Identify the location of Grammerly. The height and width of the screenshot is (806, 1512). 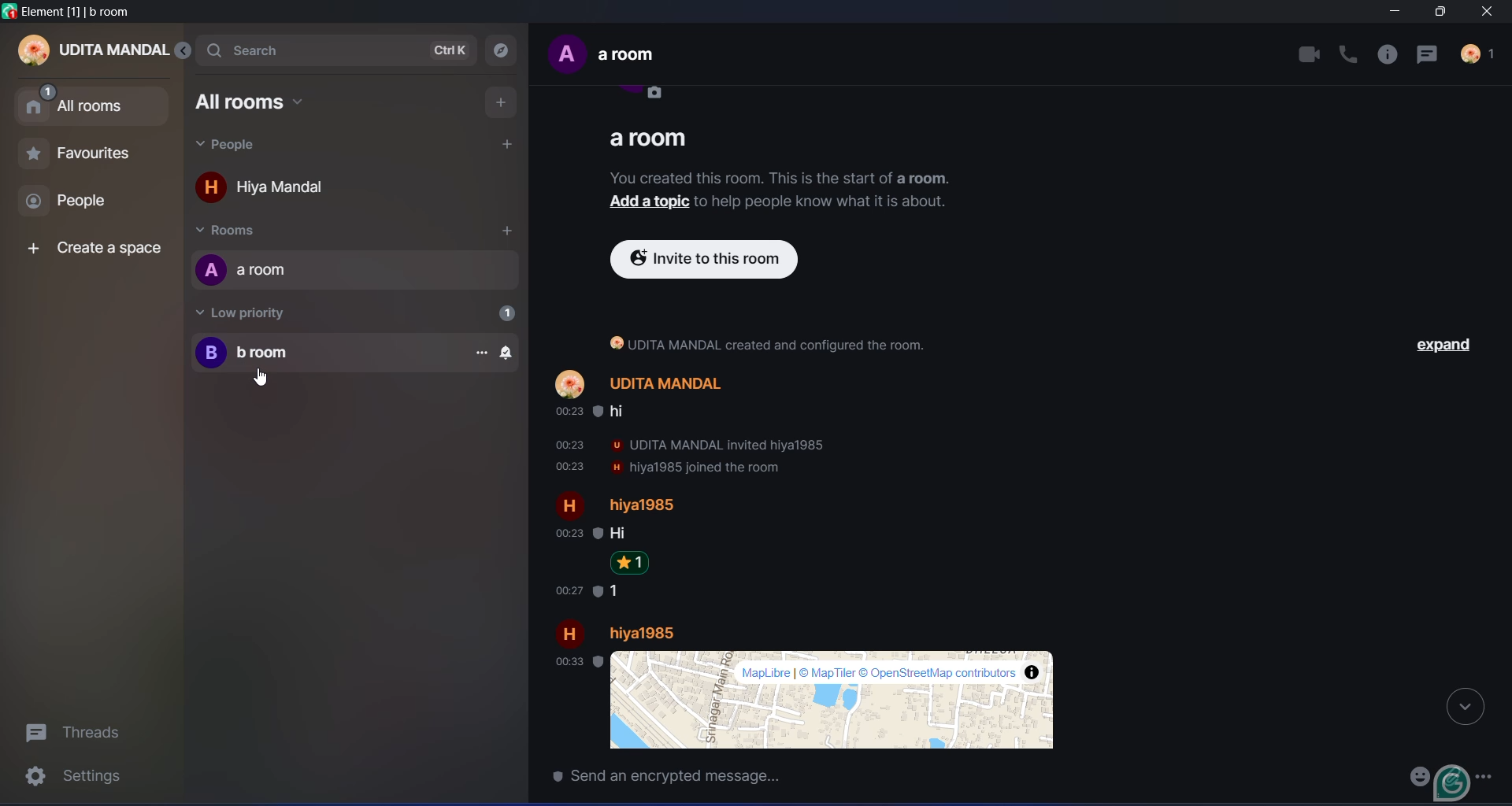
(1454, 782).